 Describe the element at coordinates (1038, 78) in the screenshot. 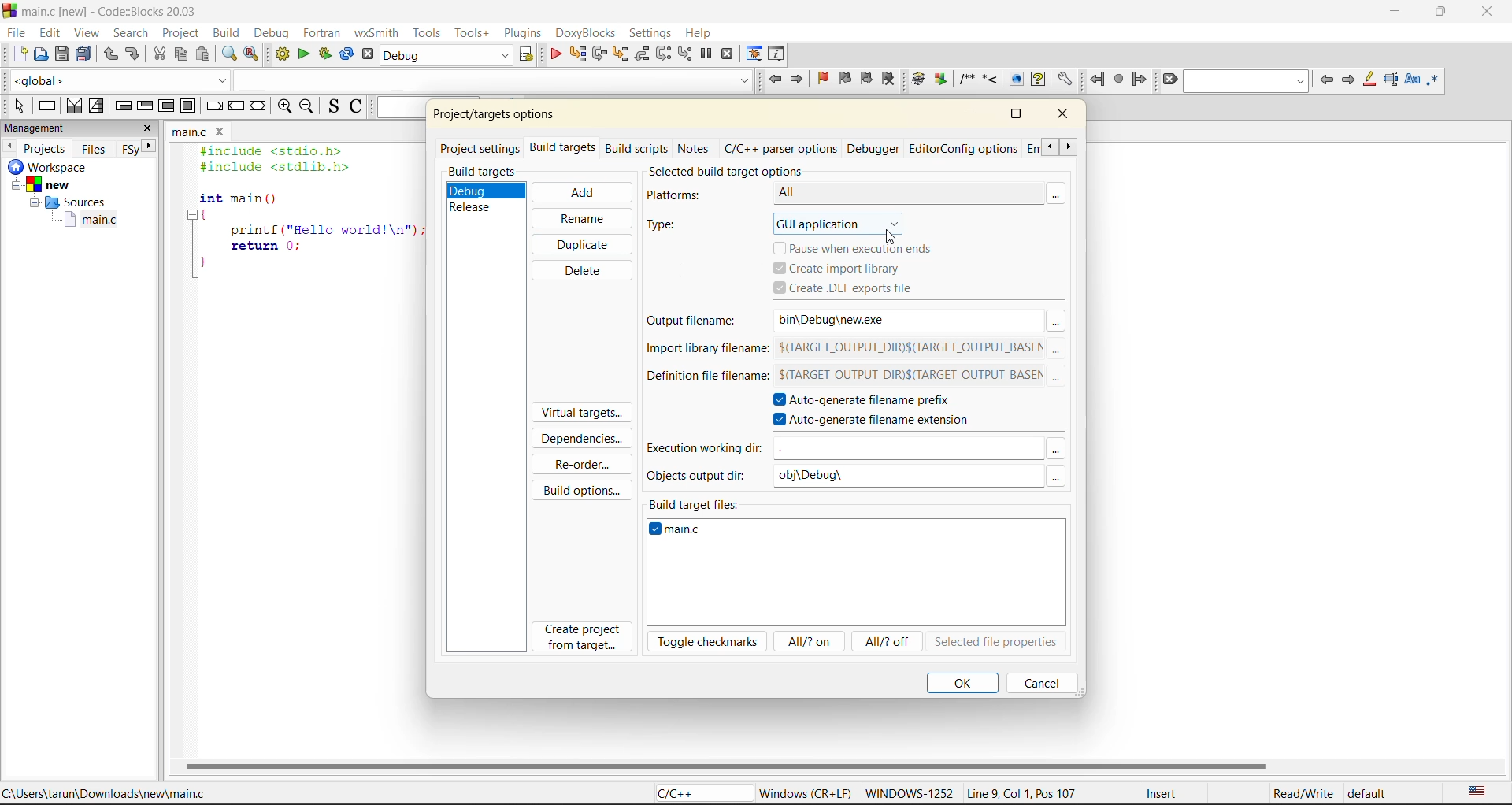

I see `View generated HTML Help documentation` at that location.